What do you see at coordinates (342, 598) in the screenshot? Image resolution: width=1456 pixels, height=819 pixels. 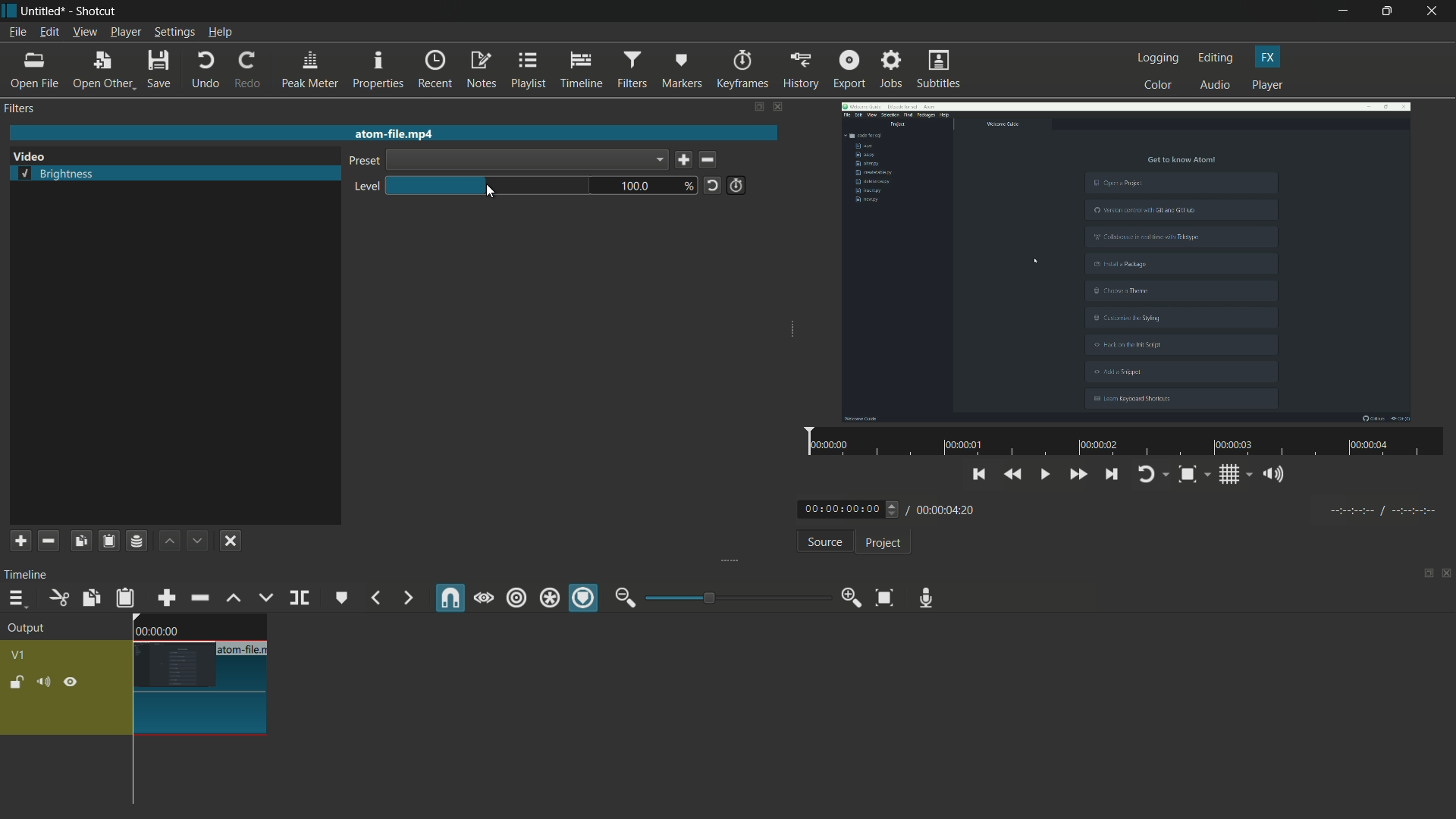 I see `create/edit marker` at bounding box center [342, 598].